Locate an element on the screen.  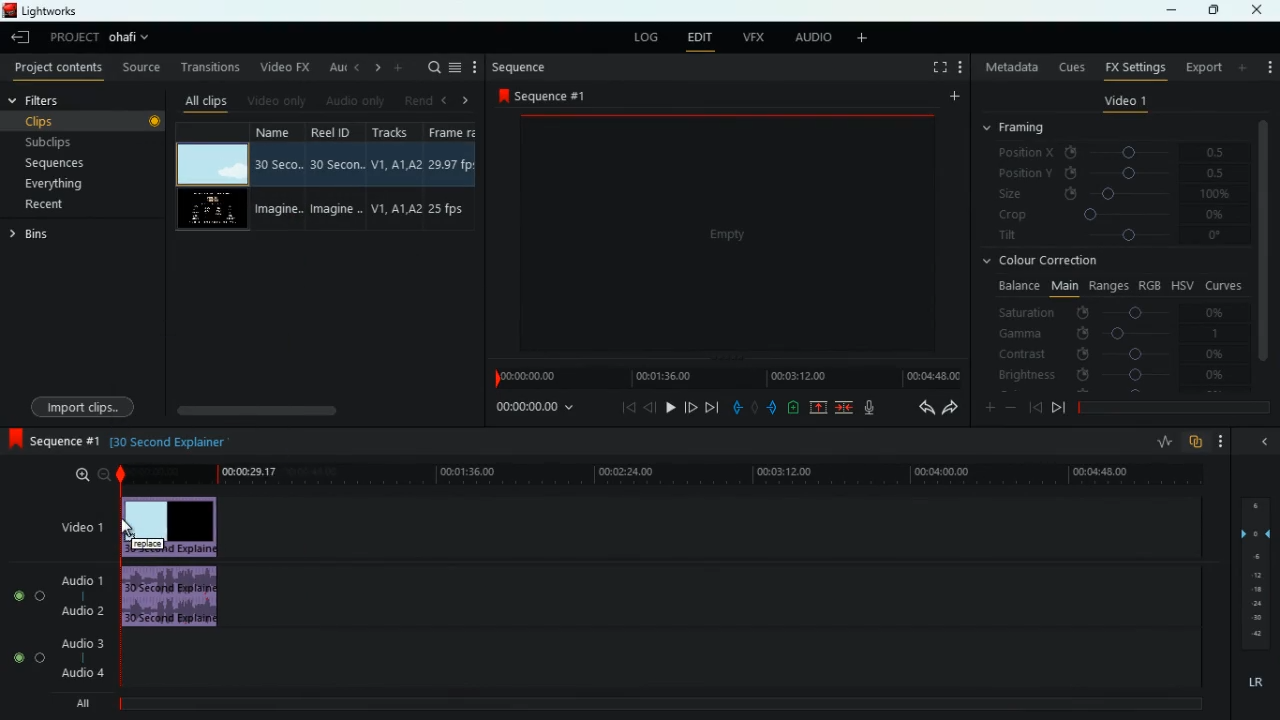
V1, A1, A2 is located at coordinates (395, 161).